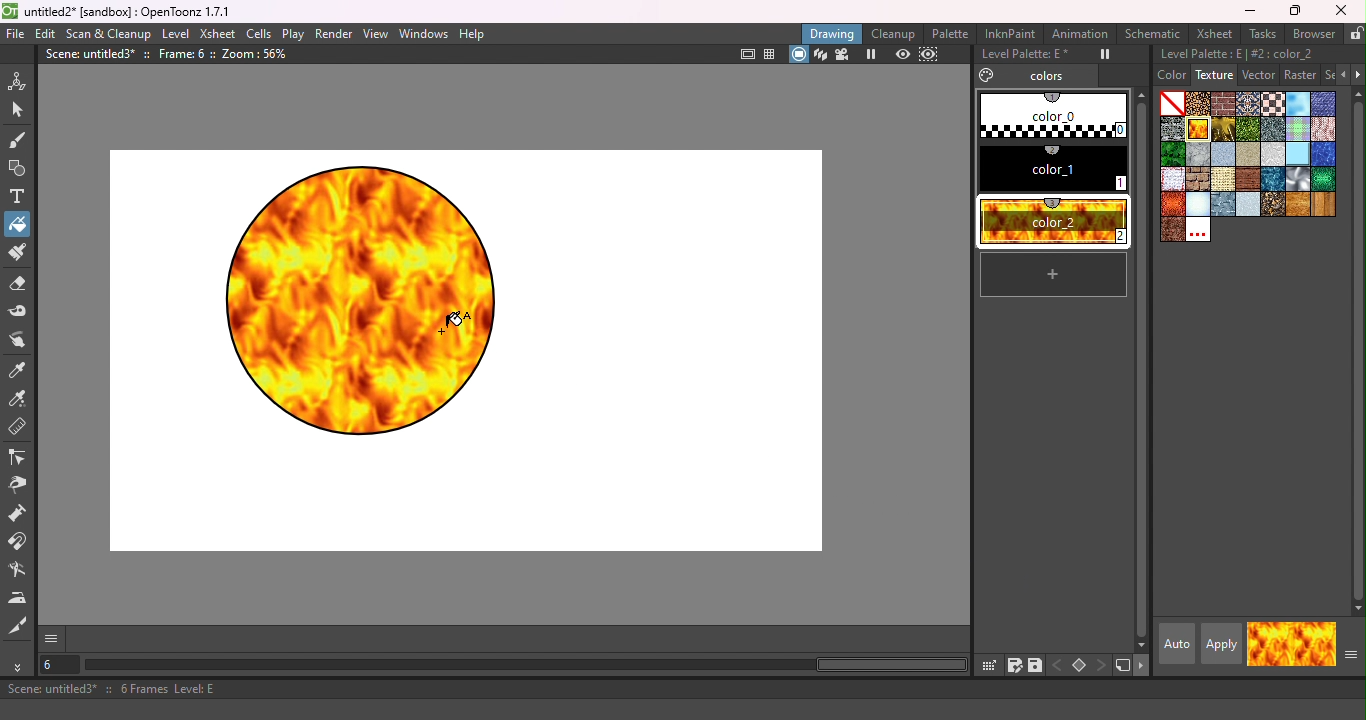 This screenshot has height=720, width=1366. What do you see at coordinates (21, 311) in the screenshot?
I see `Tape tool` at bounding box center [21, 311].